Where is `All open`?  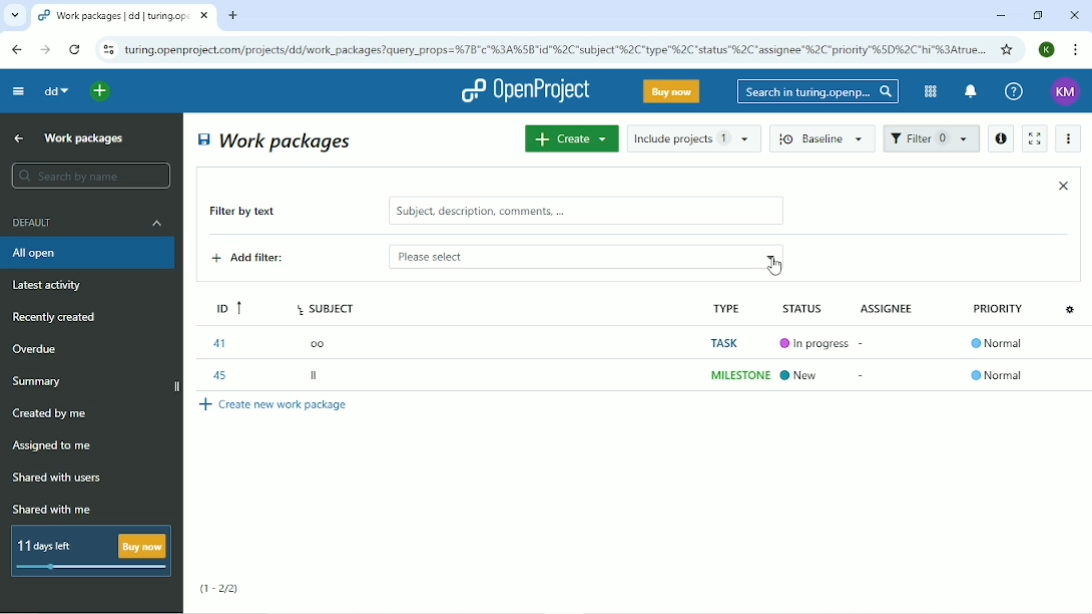 All open is located at coordinates (90, 253).